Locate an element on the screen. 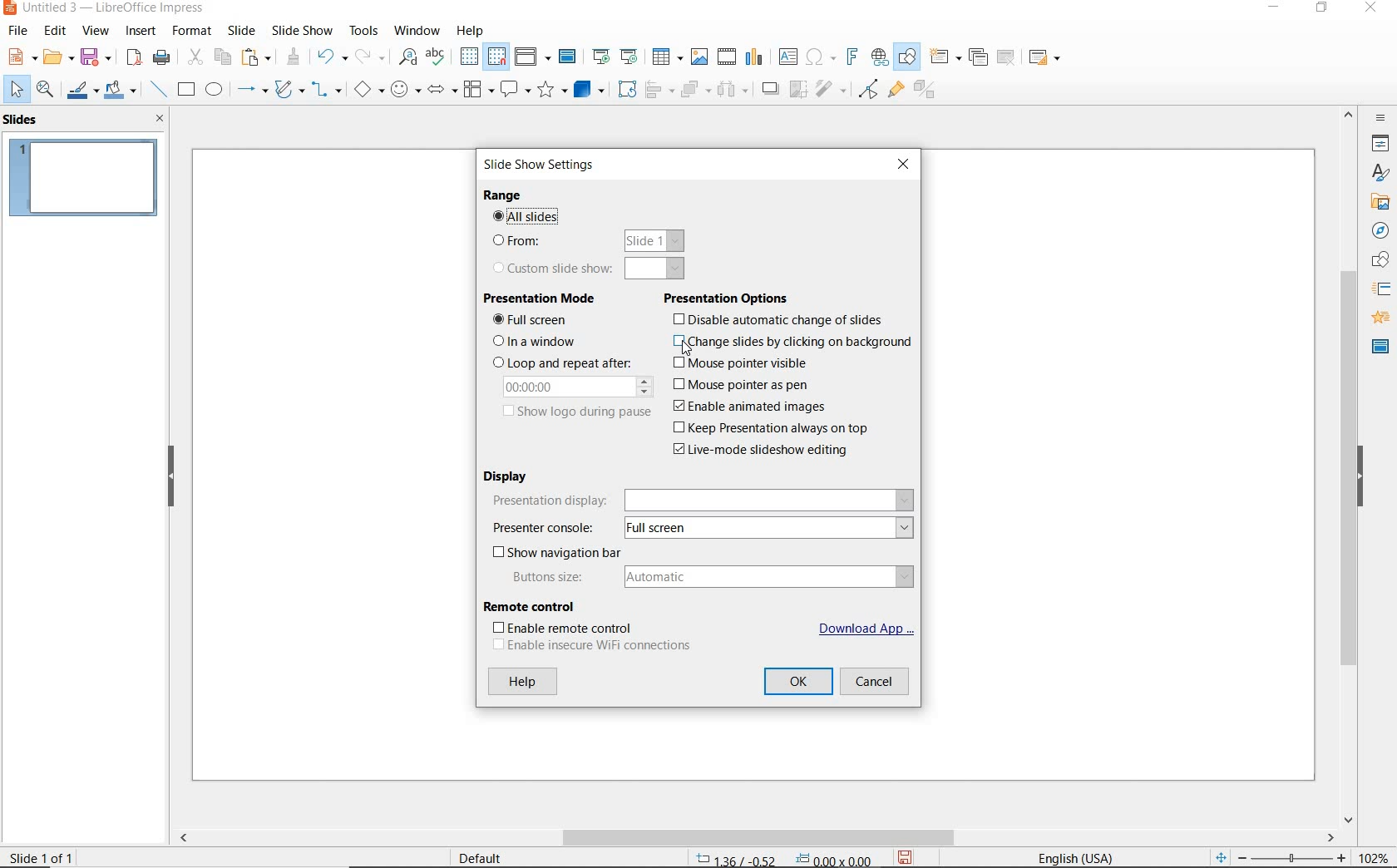 Image resolution: width=1397 pixels, height=868 pixels. TOGGLE POINT EDIT MODE is located at coordinates (870, 87).